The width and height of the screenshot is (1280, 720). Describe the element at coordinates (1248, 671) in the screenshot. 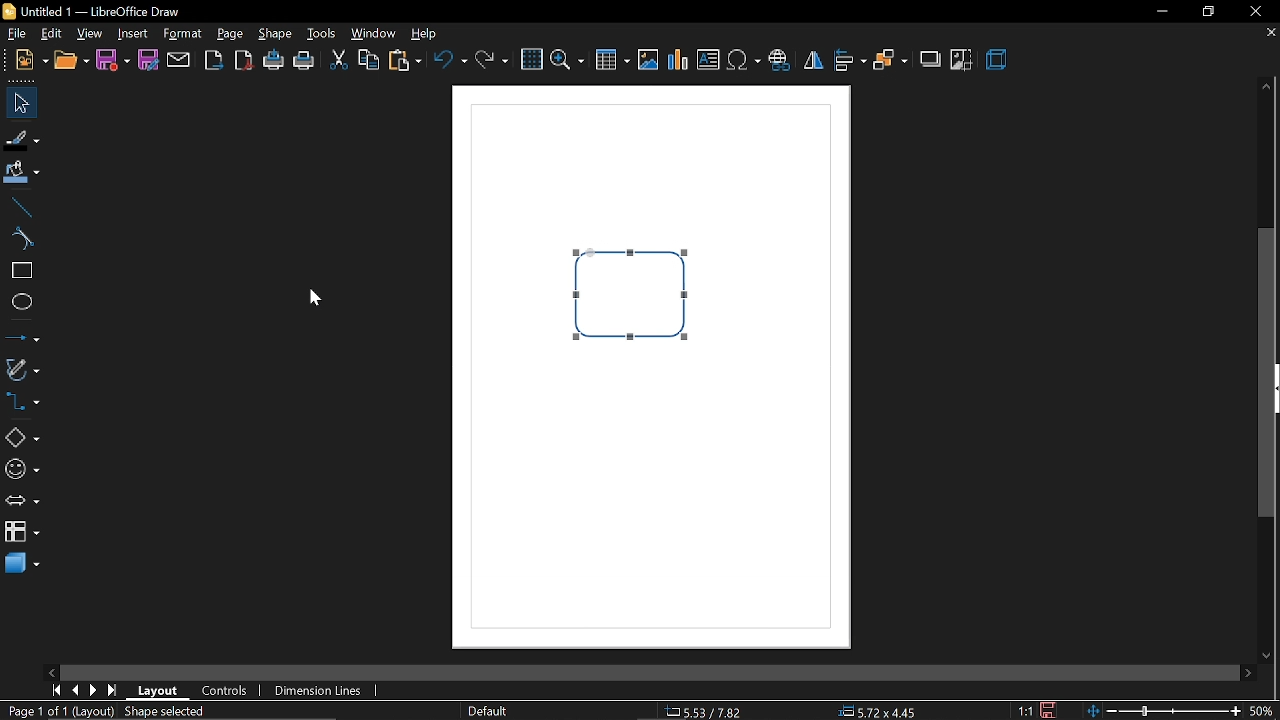

I see `move right` at that location.